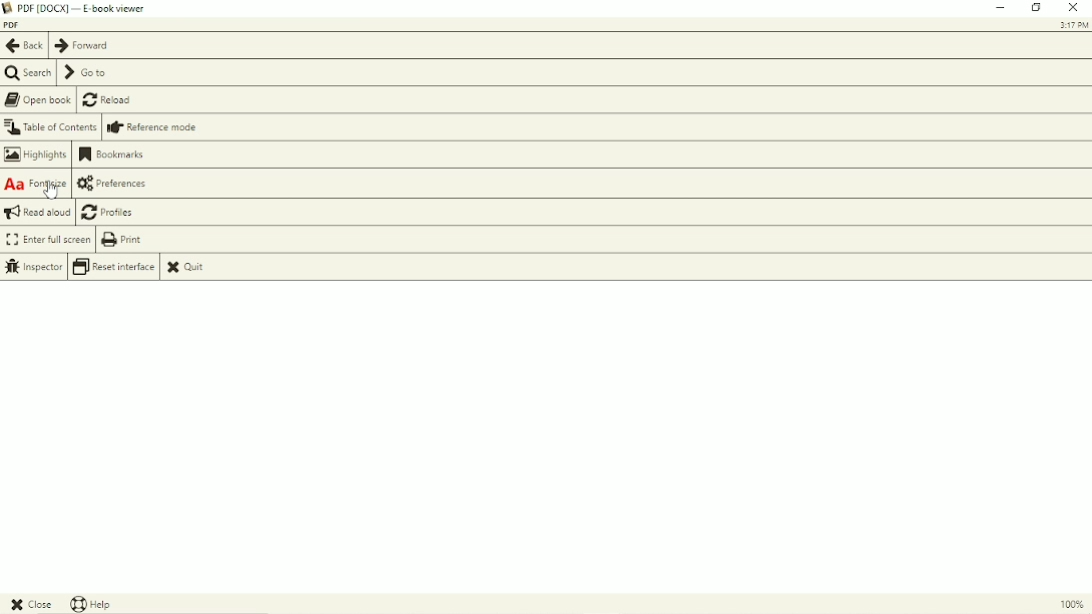  Describe the element at coordinates (46, 239) in the screenshot. I see `Enter full screen` at that location.